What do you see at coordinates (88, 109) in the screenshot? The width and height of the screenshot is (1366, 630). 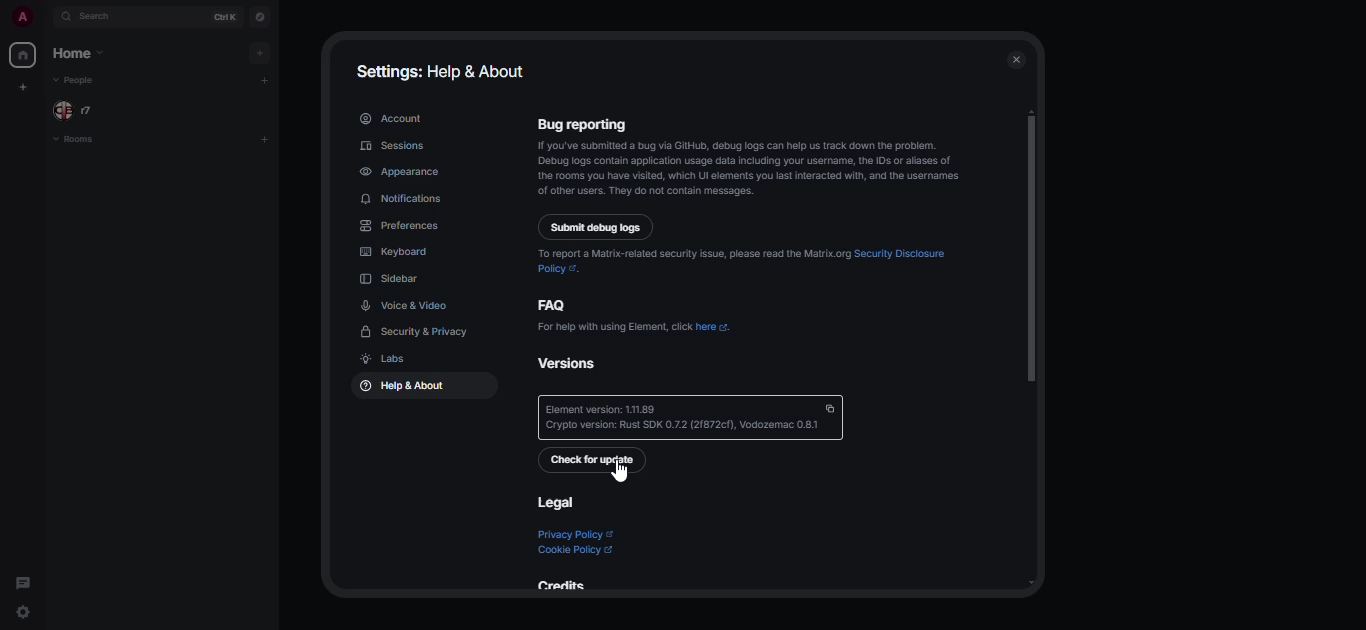 I see `people` at bounding box center [88, 109].